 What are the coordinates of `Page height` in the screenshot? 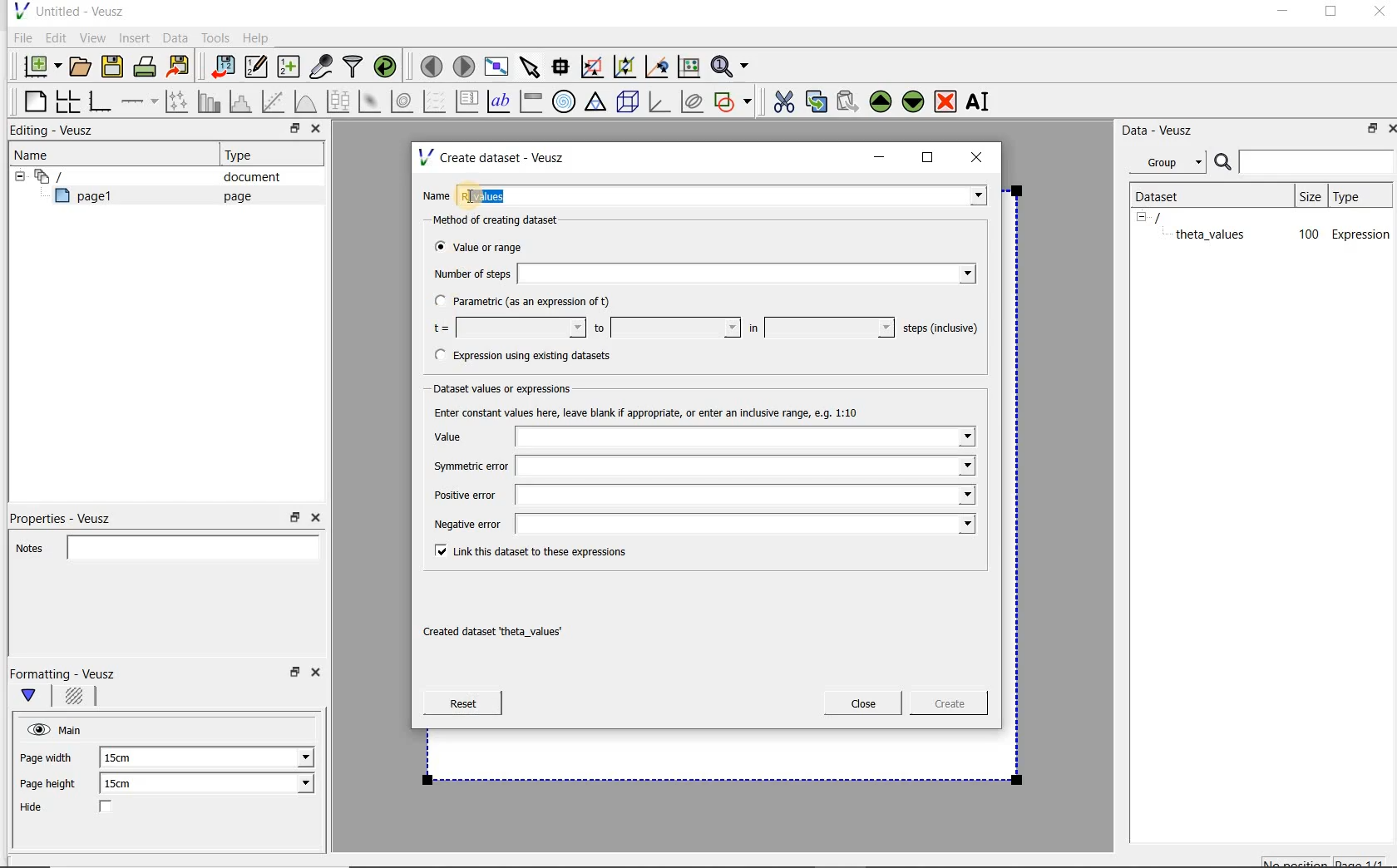 It's located at (53, 786).